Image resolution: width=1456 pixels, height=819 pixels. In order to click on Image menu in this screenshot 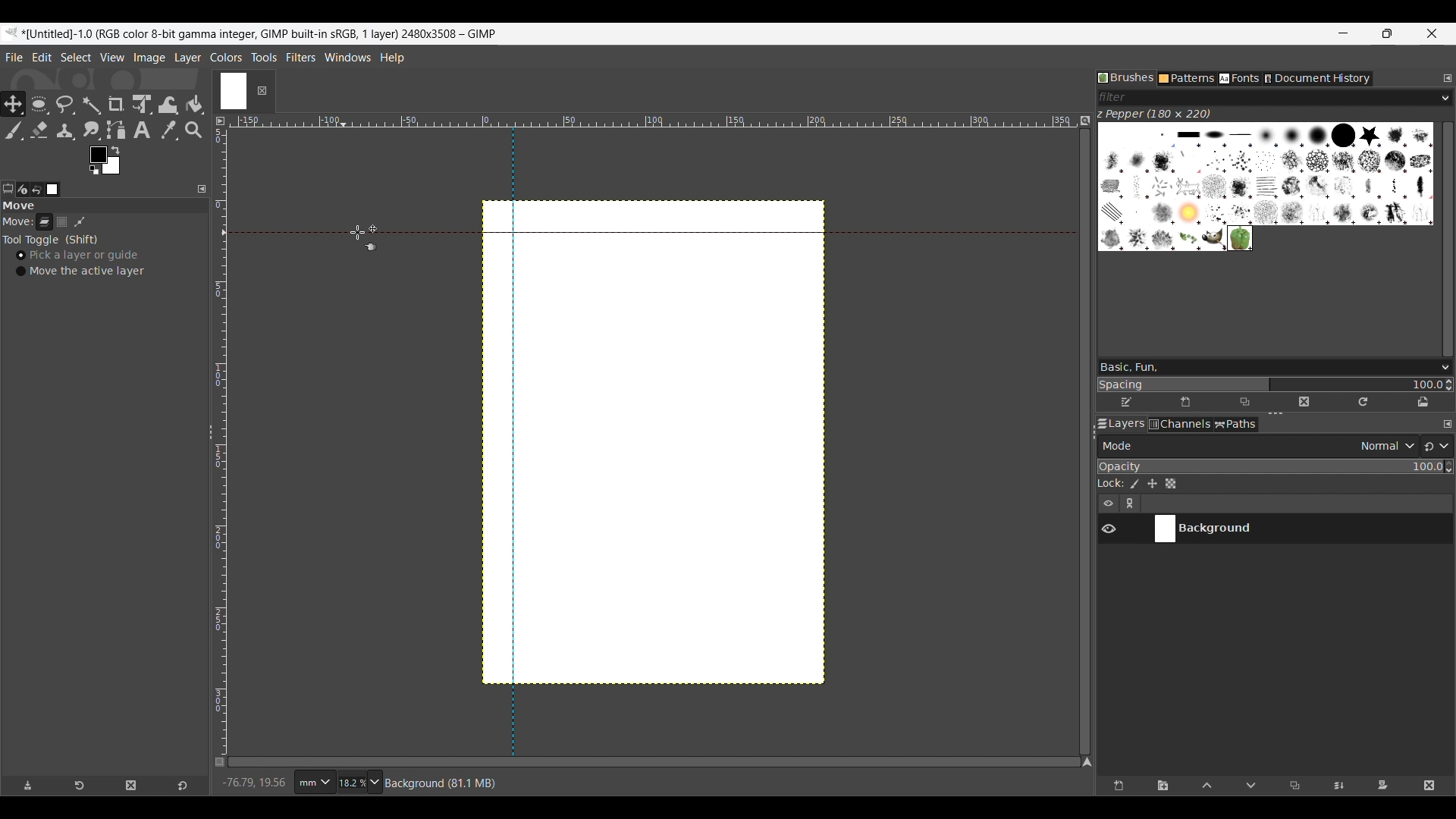, I will do `click(149, 58)`.